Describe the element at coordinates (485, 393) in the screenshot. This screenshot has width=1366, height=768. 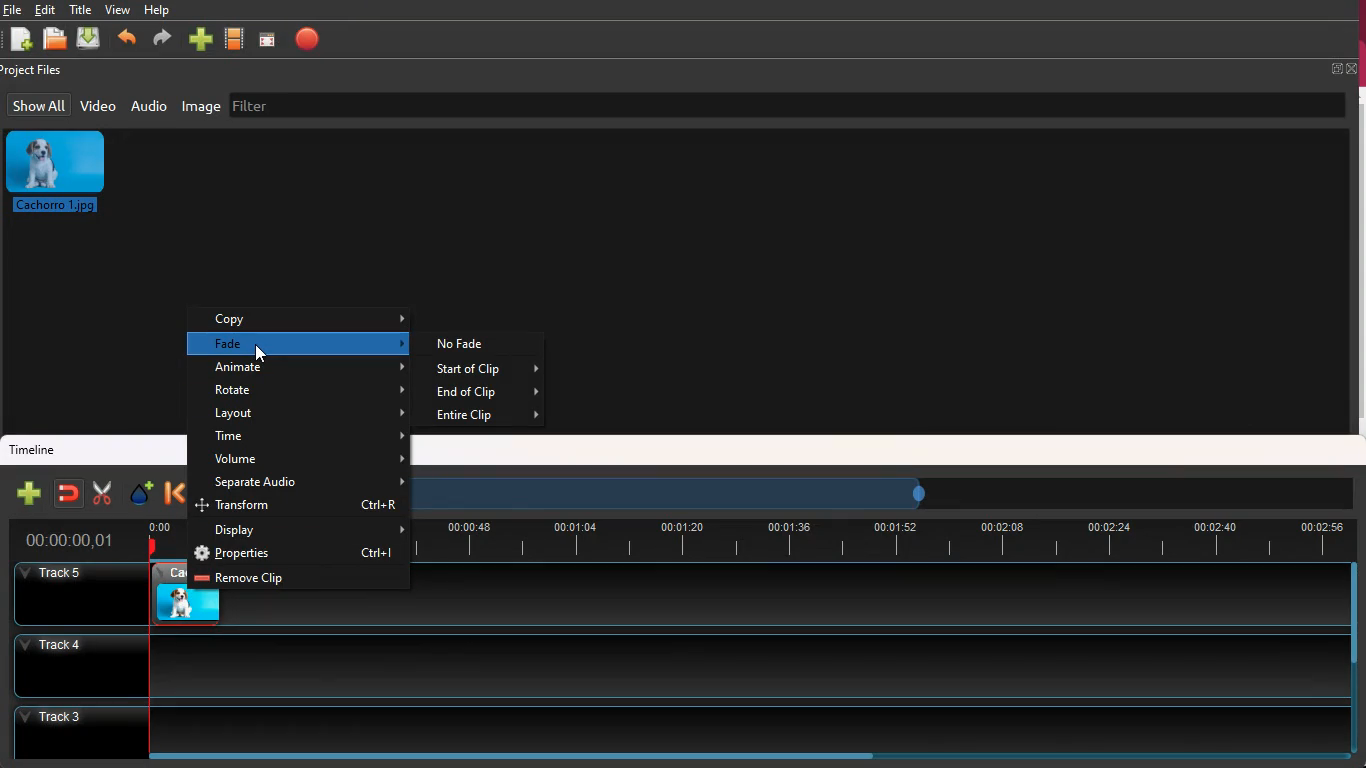
I see `end of clip` at that location.